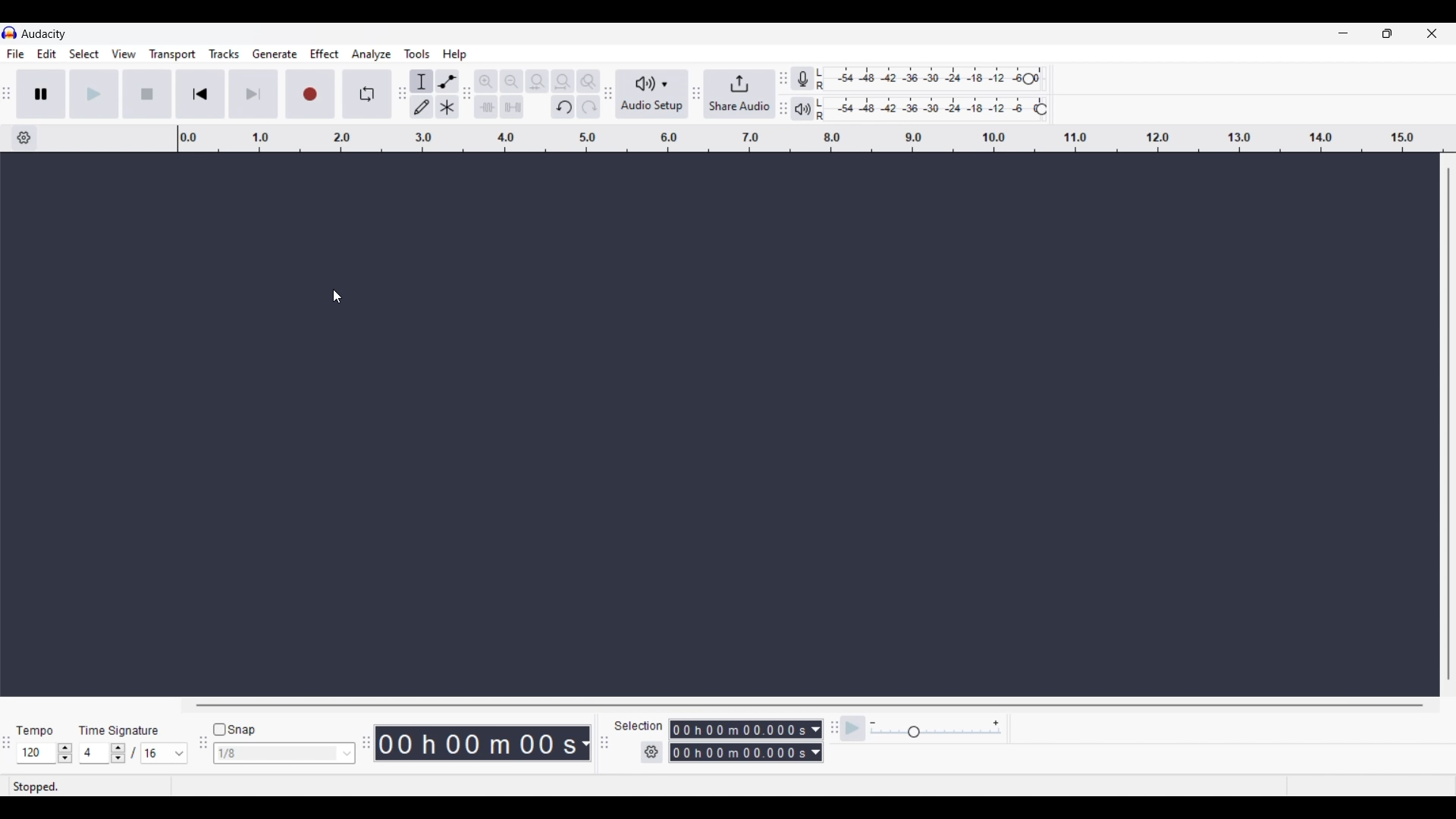 This screenshot has height=819, width=1456. I want to click on Scale to measure audio length, so click(817, 139).